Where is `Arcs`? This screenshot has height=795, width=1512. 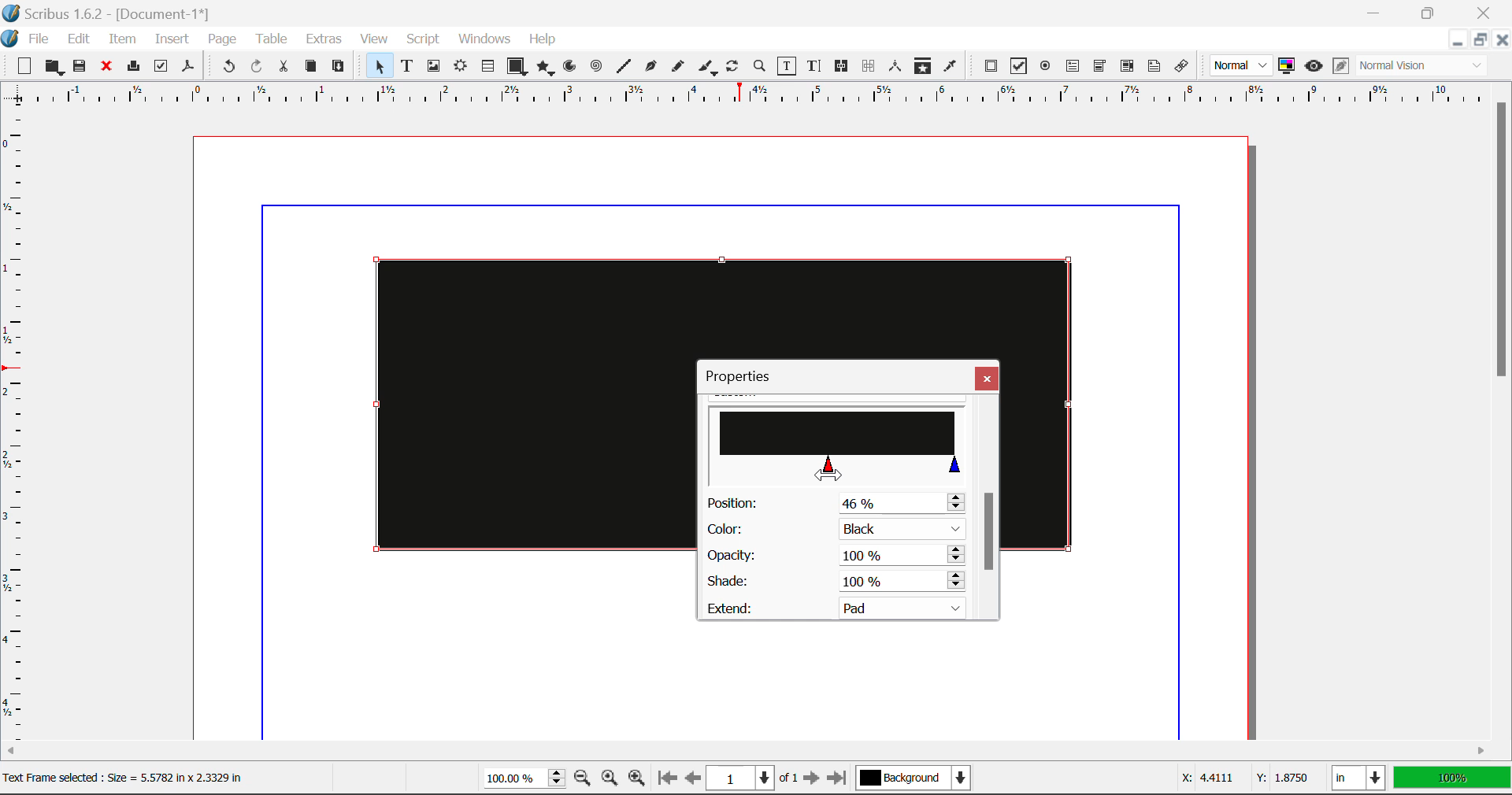
Arcs is located at coordinates (572, 70).